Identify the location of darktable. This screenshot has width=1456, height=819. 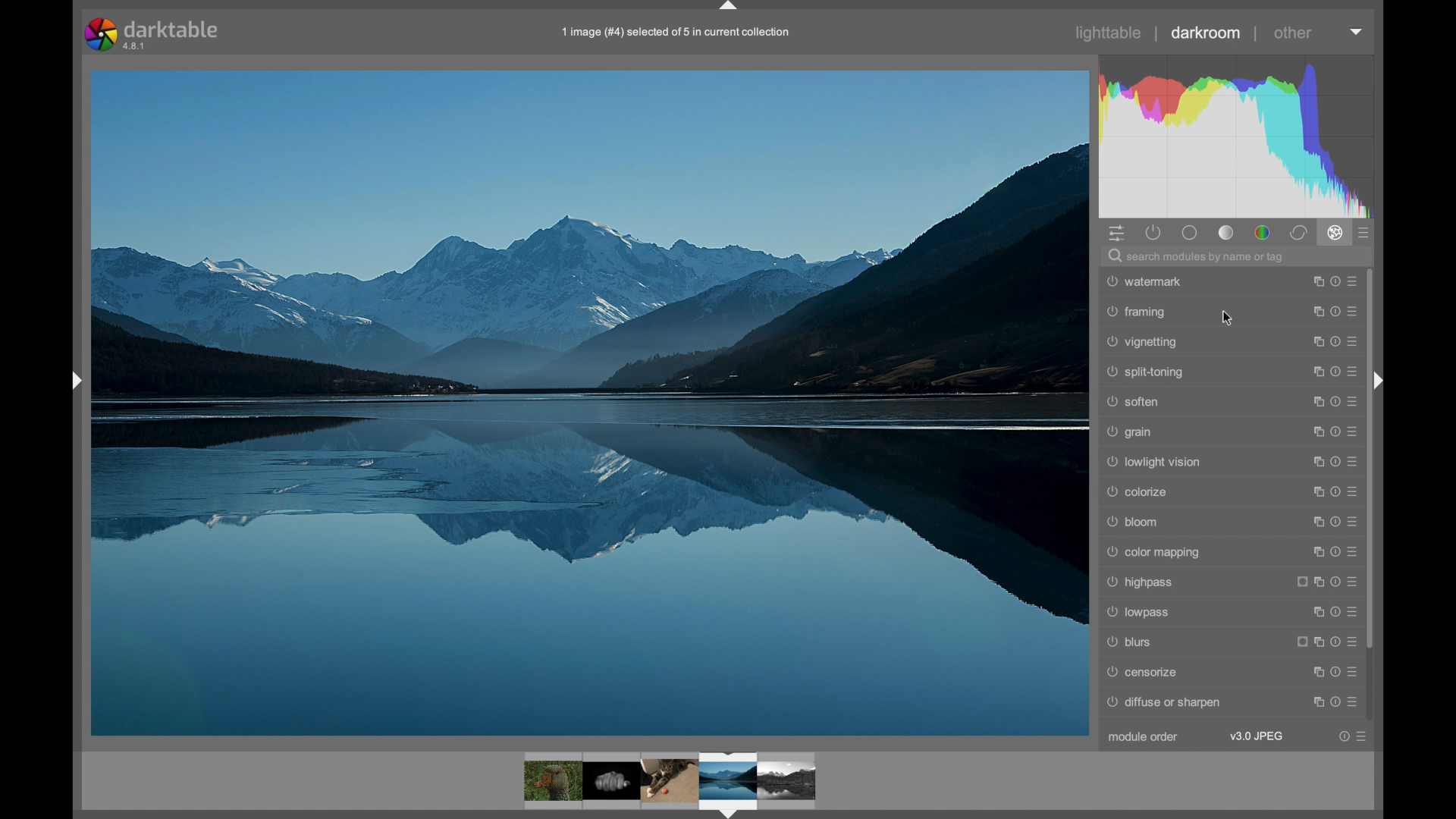
(155, 34).